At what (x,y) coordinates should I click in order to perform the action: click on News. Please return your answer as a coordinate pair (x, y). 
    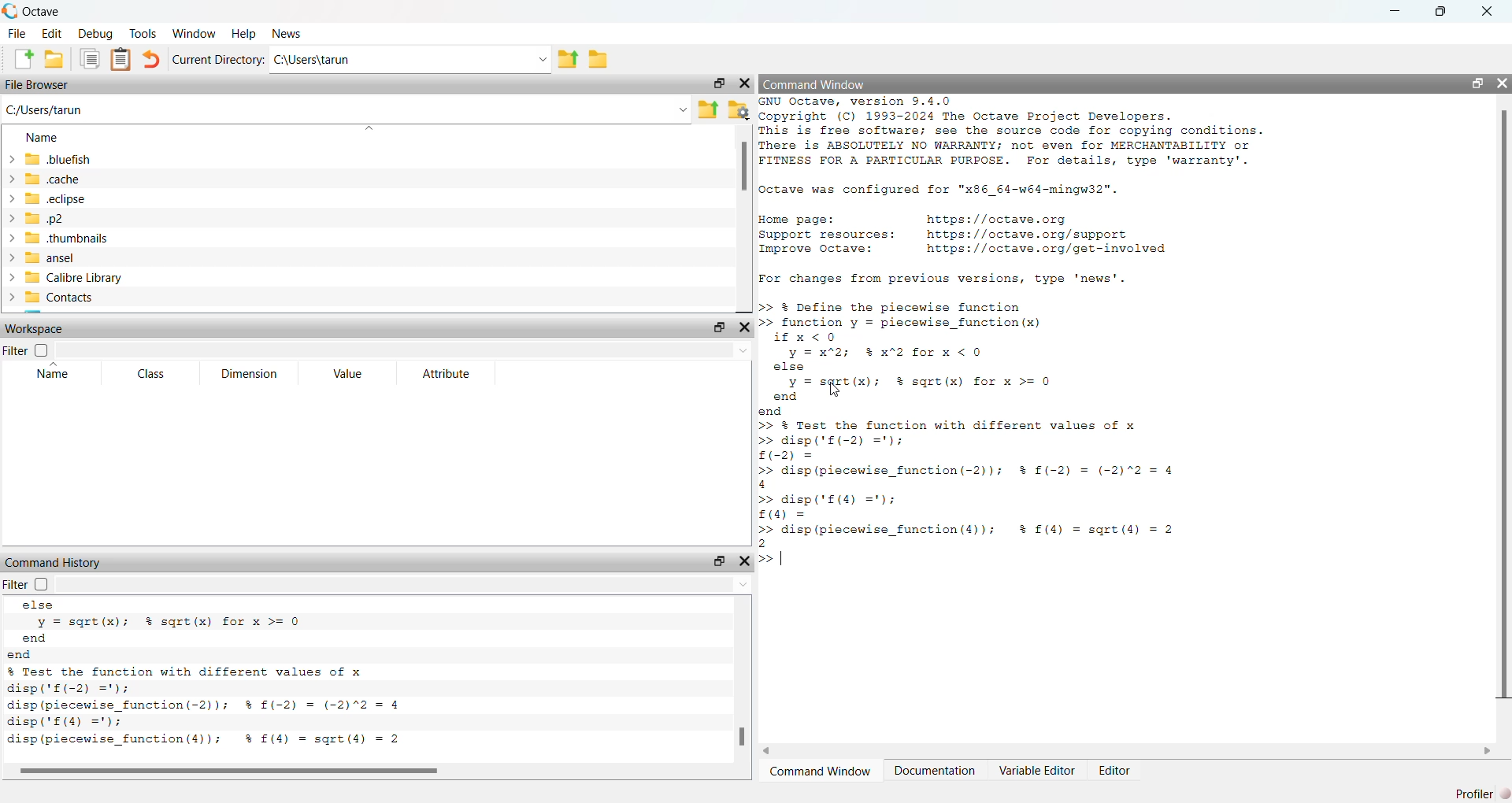
    Looking at the image, I should click on (282, 35).